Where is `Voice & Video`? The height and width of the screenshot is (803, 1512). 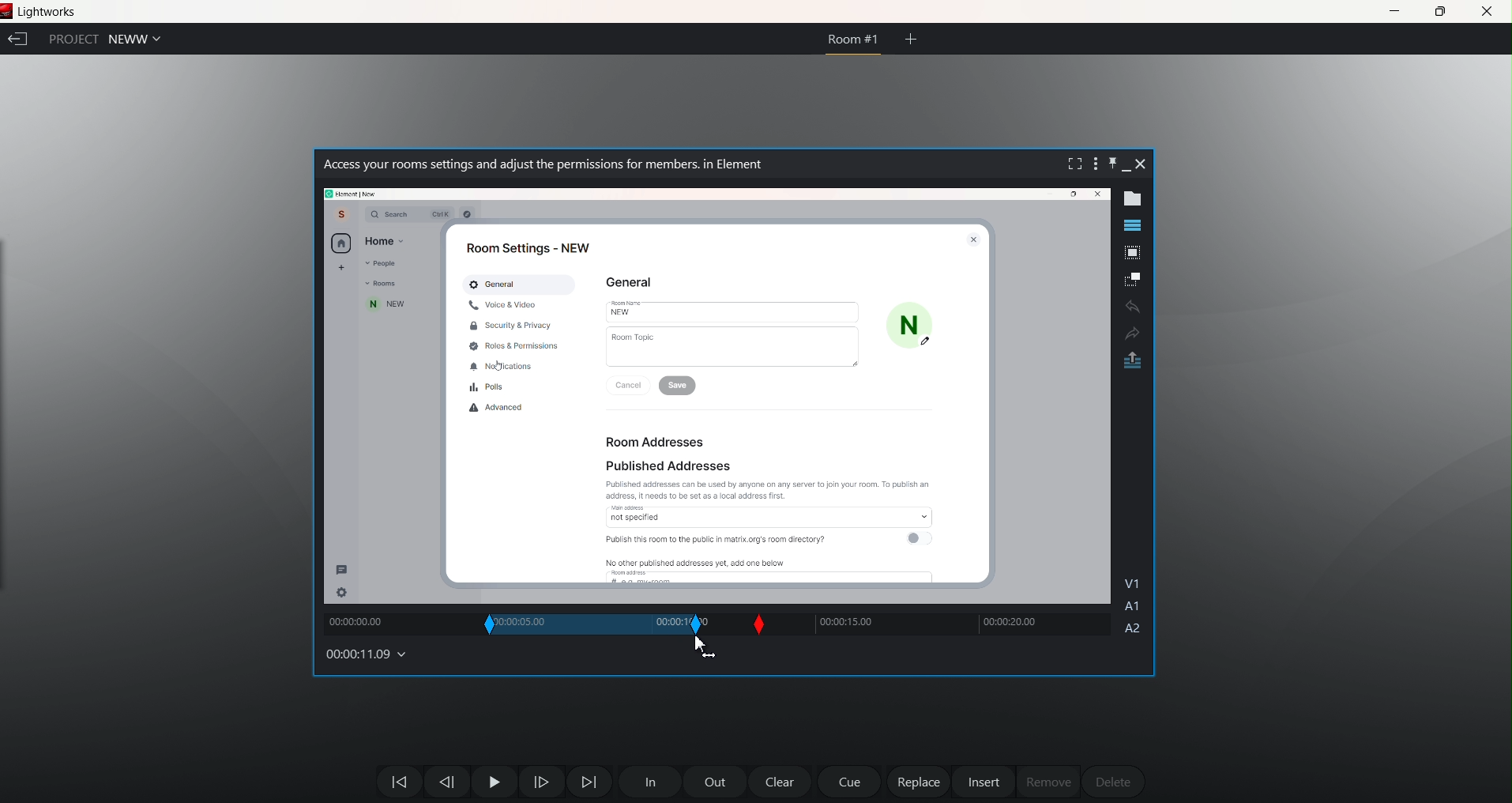
Voice & Video is located at coordinates (503, 303).